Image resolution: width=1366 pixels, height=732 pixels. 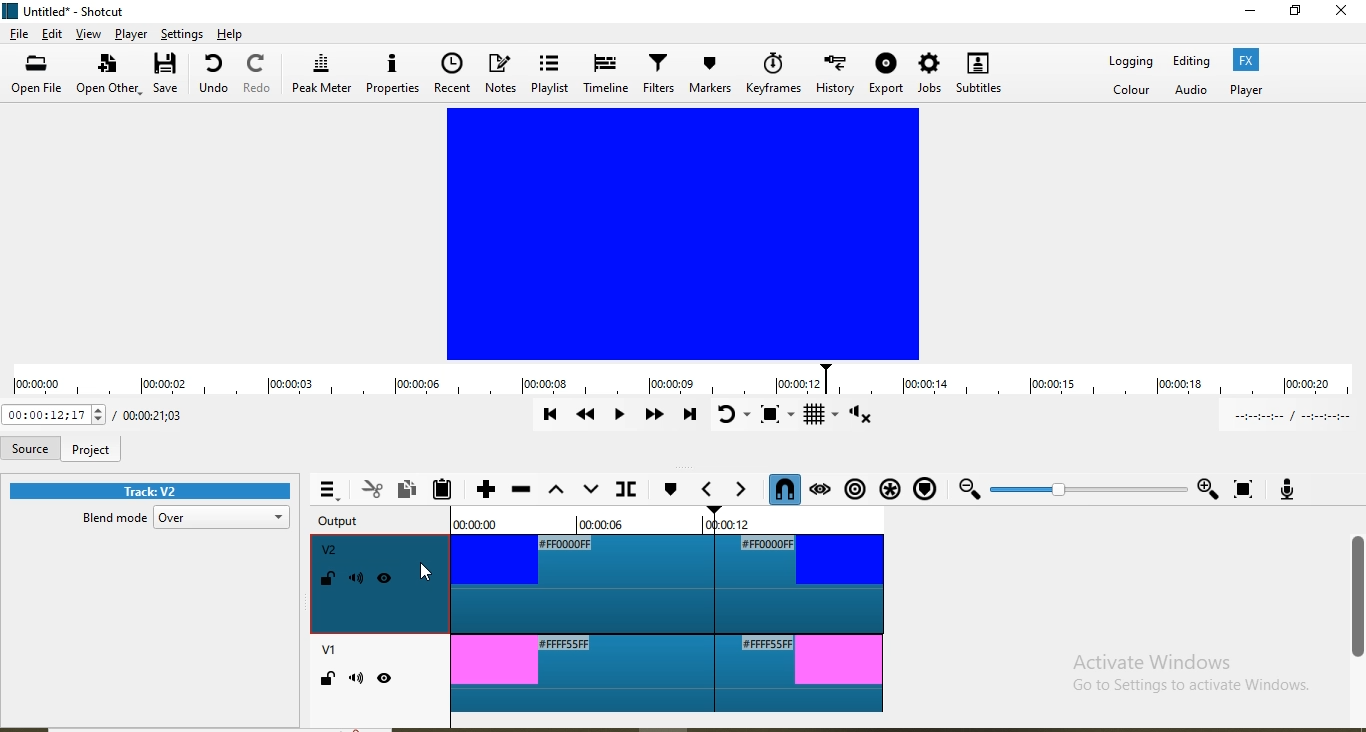 What do you see at coordinates (328, 580) in the screenshot?
I see `Lock` at bounding box center [328, 580].